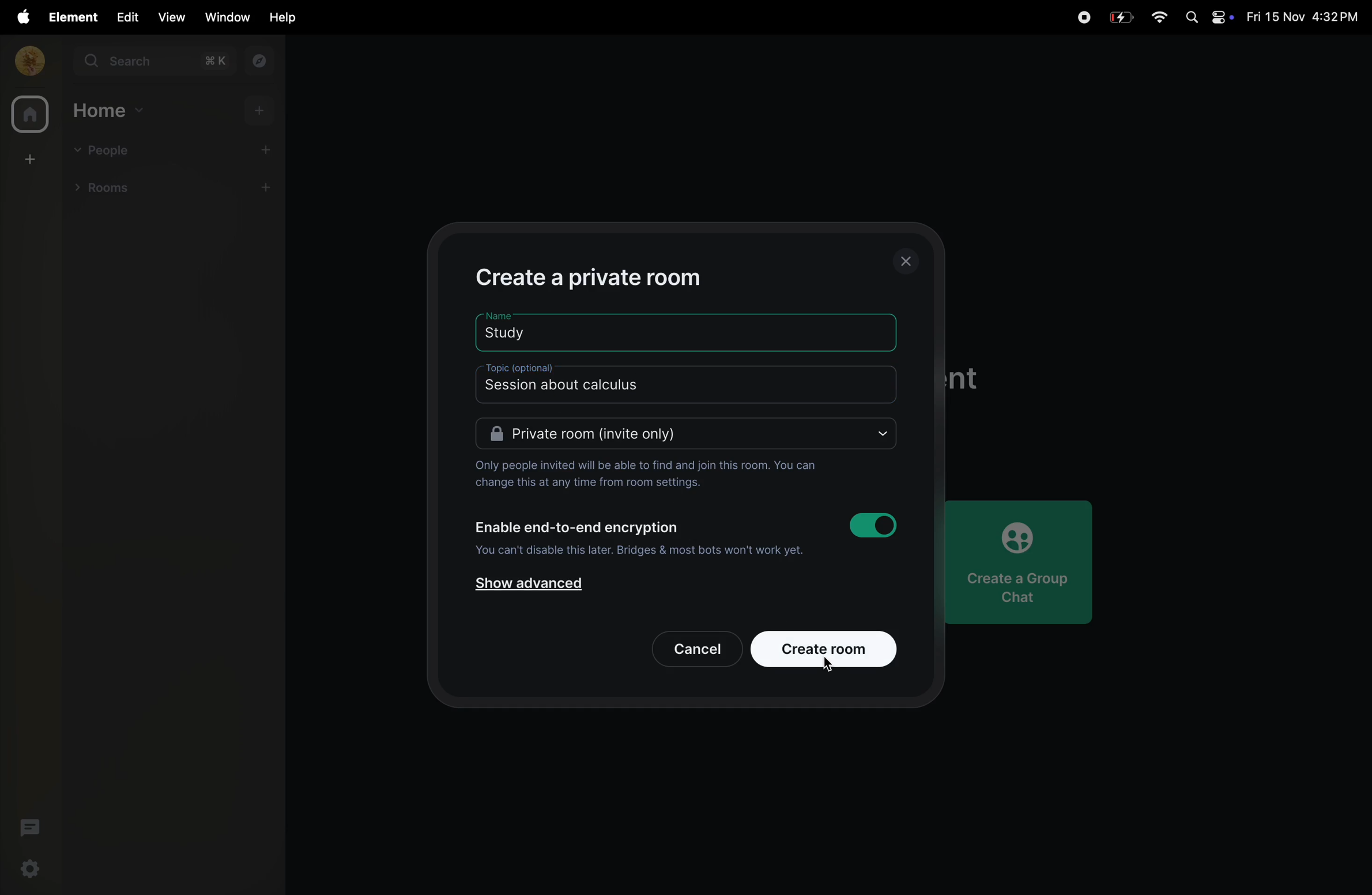 This screenshot has height=895, width=1372. Describe the element at coordinates (525, 330) in the screenshot. I see `room name study` at that location.